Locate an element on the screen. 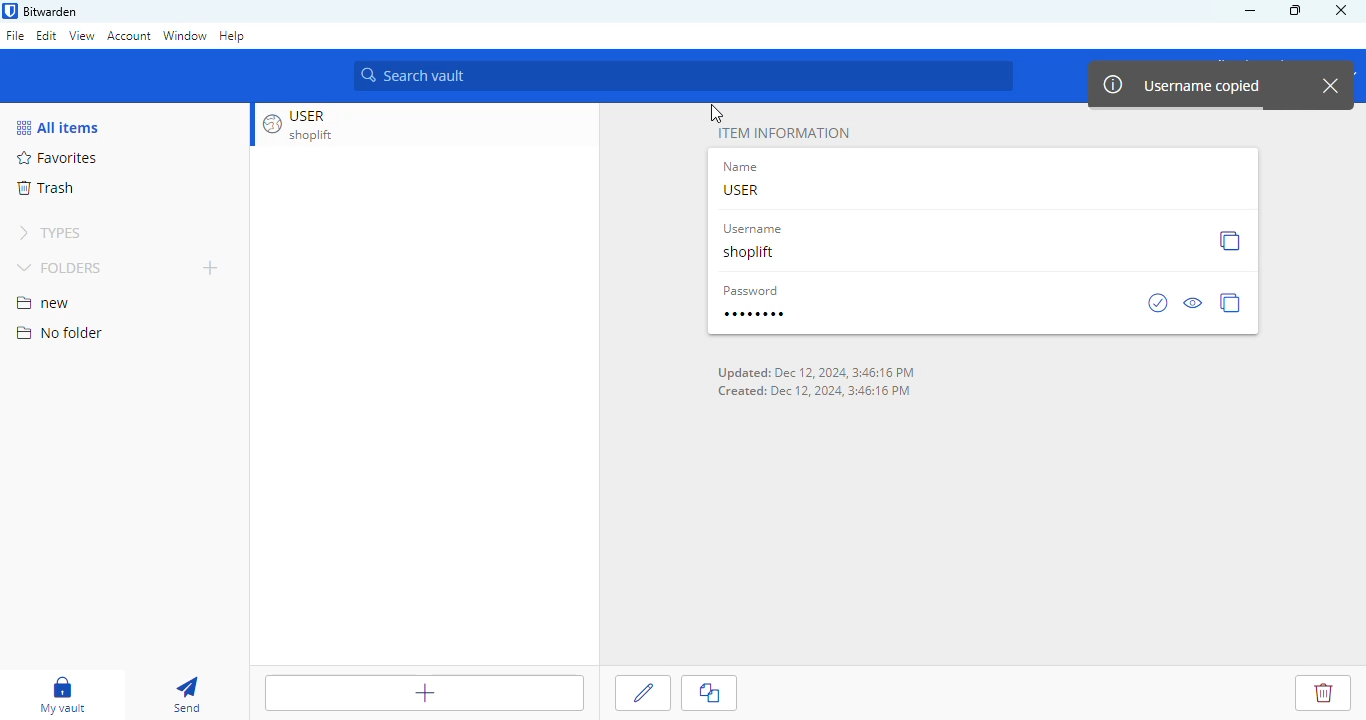  USER   shoplift is located at coordinates (323, 126).